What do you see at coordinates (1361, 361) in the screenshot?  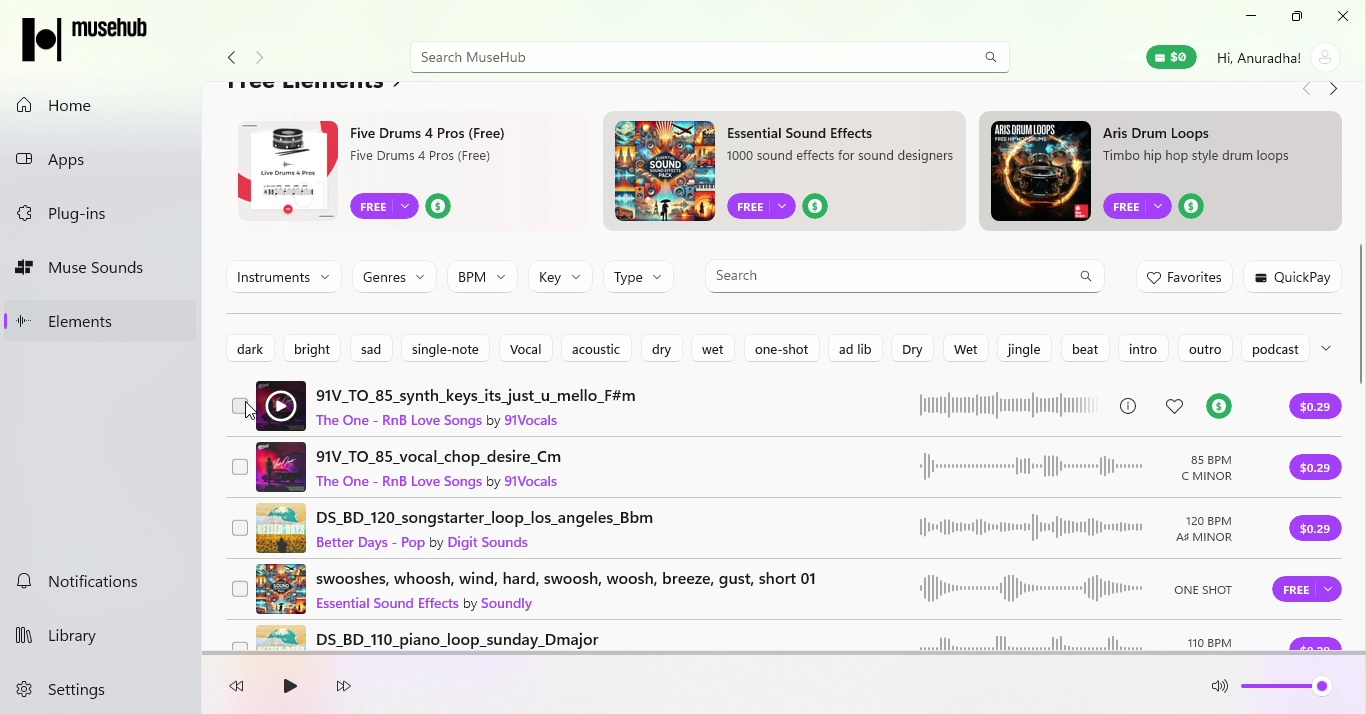 I see `scroll bar` at bounding box center [1361, 361].